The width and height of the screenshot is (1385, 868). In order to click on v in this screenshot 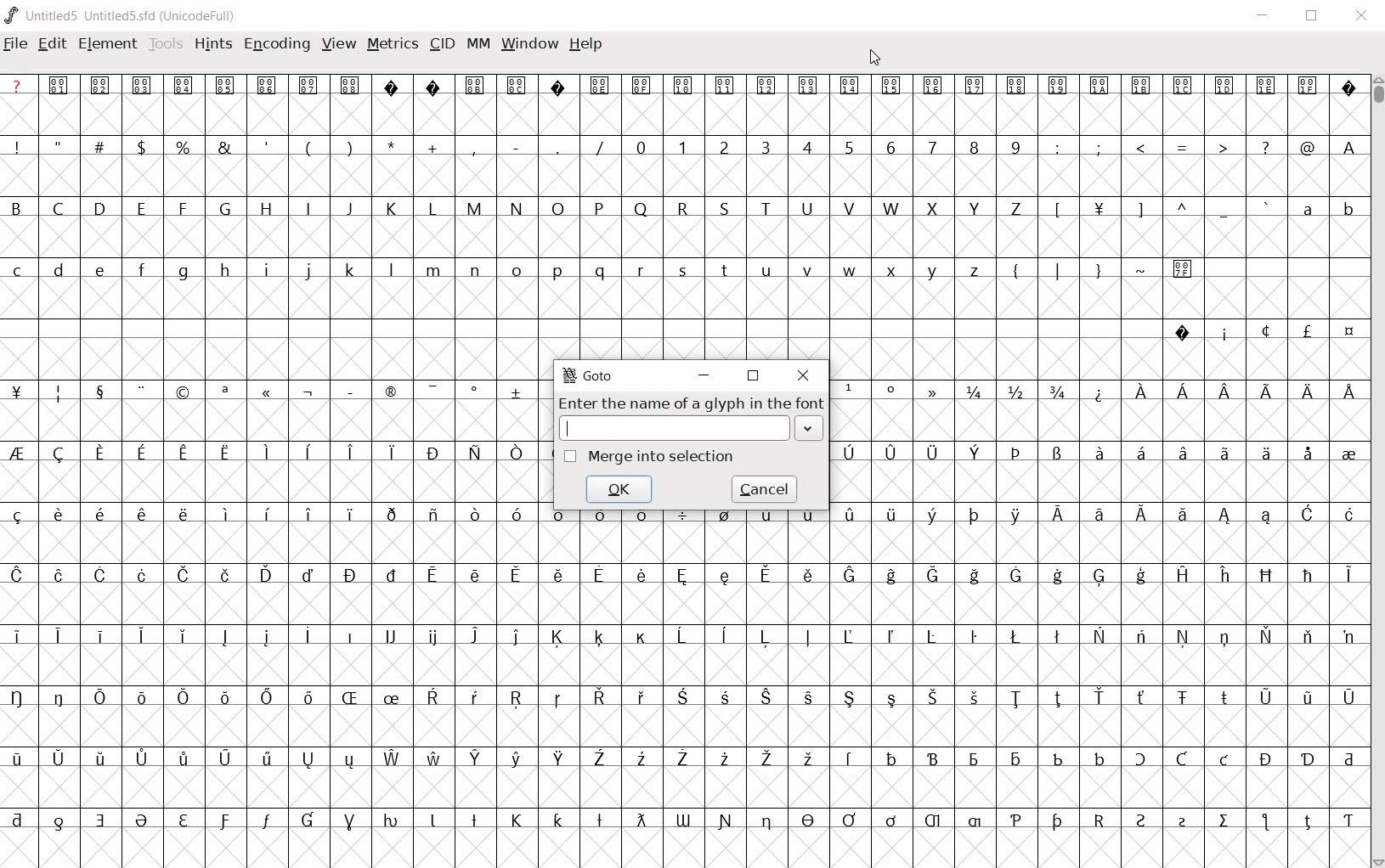, I will do `click(808, 270)`.